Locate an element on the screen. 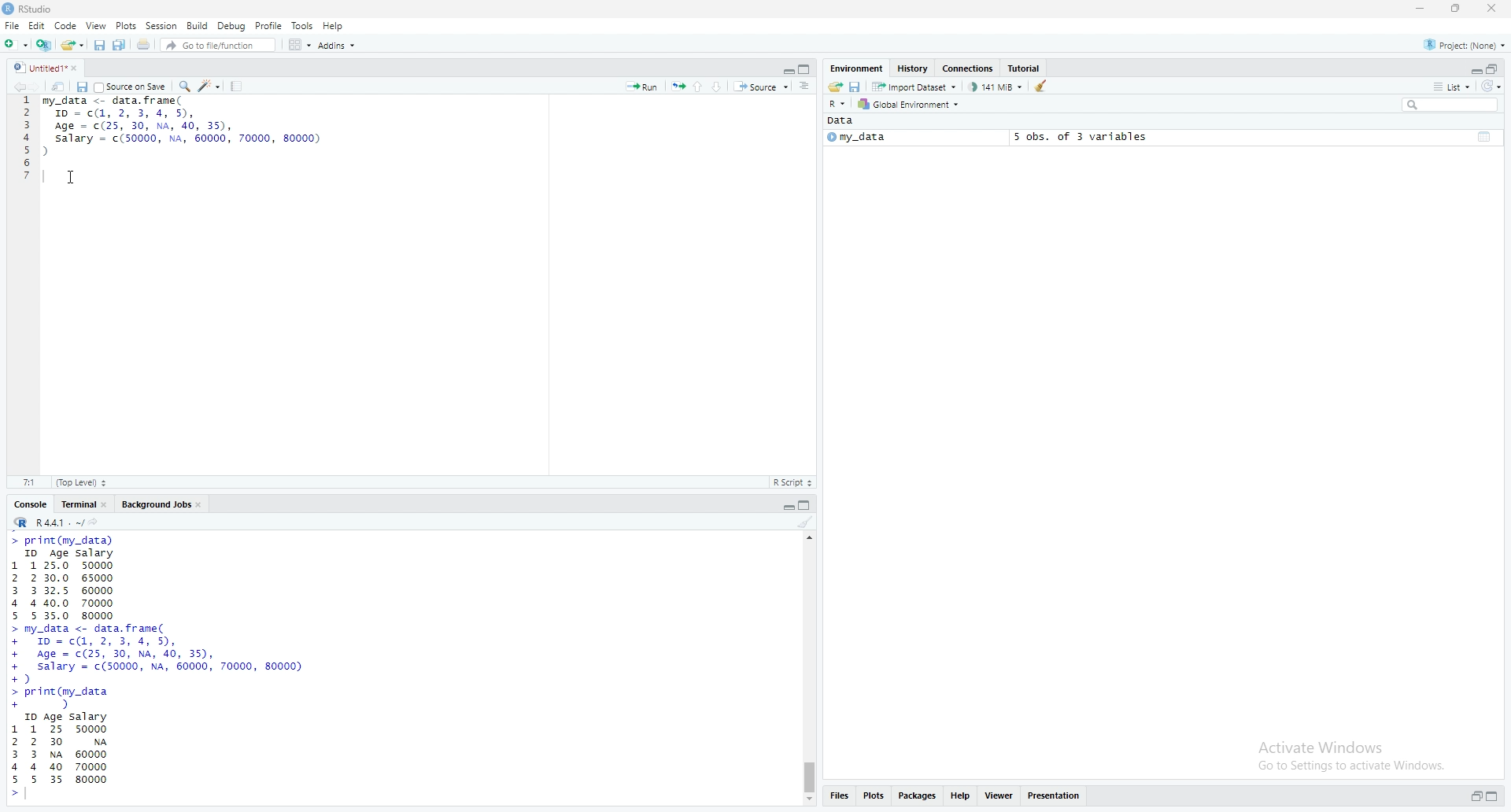 Image resolution: width=1511 pixels, height=812 pixels. collapse is located at coordinates (1496, 797).